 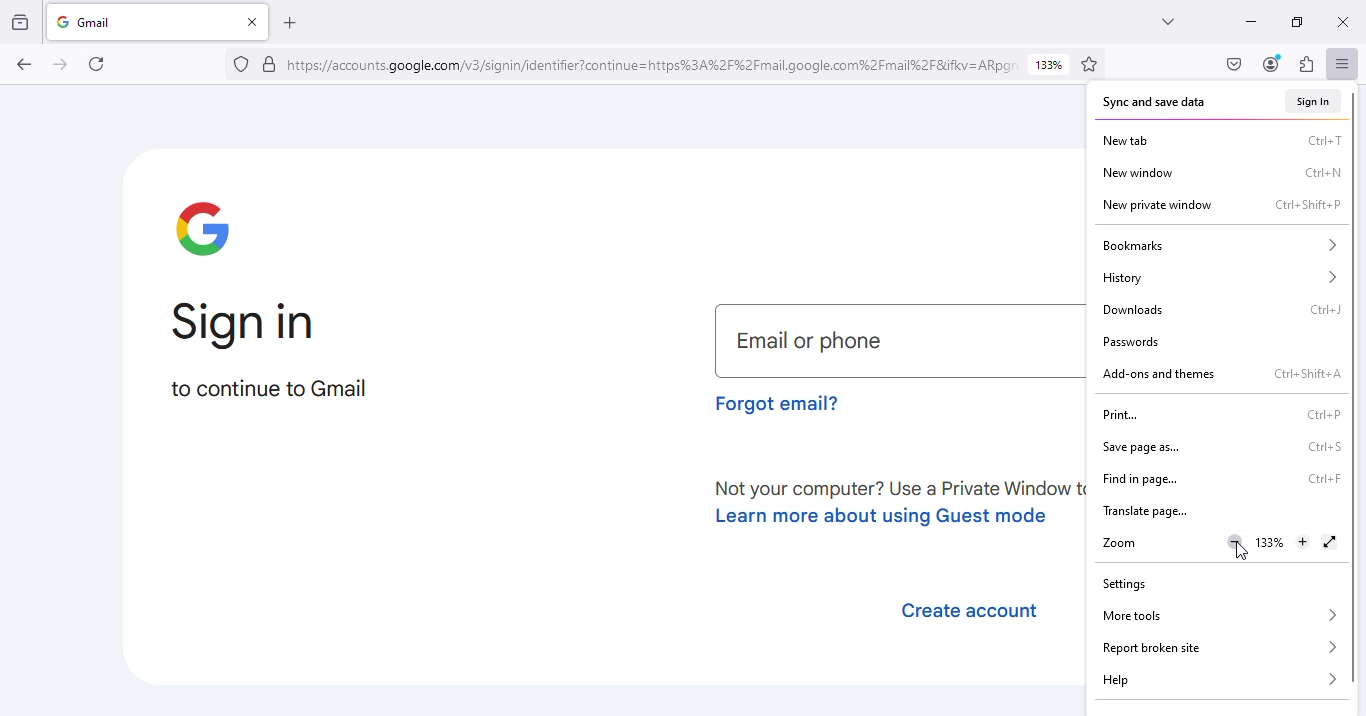 What do you see at coordinates (1119, 542) in the screenshot?
I see `zoom` at bounding box center [1119, 542].